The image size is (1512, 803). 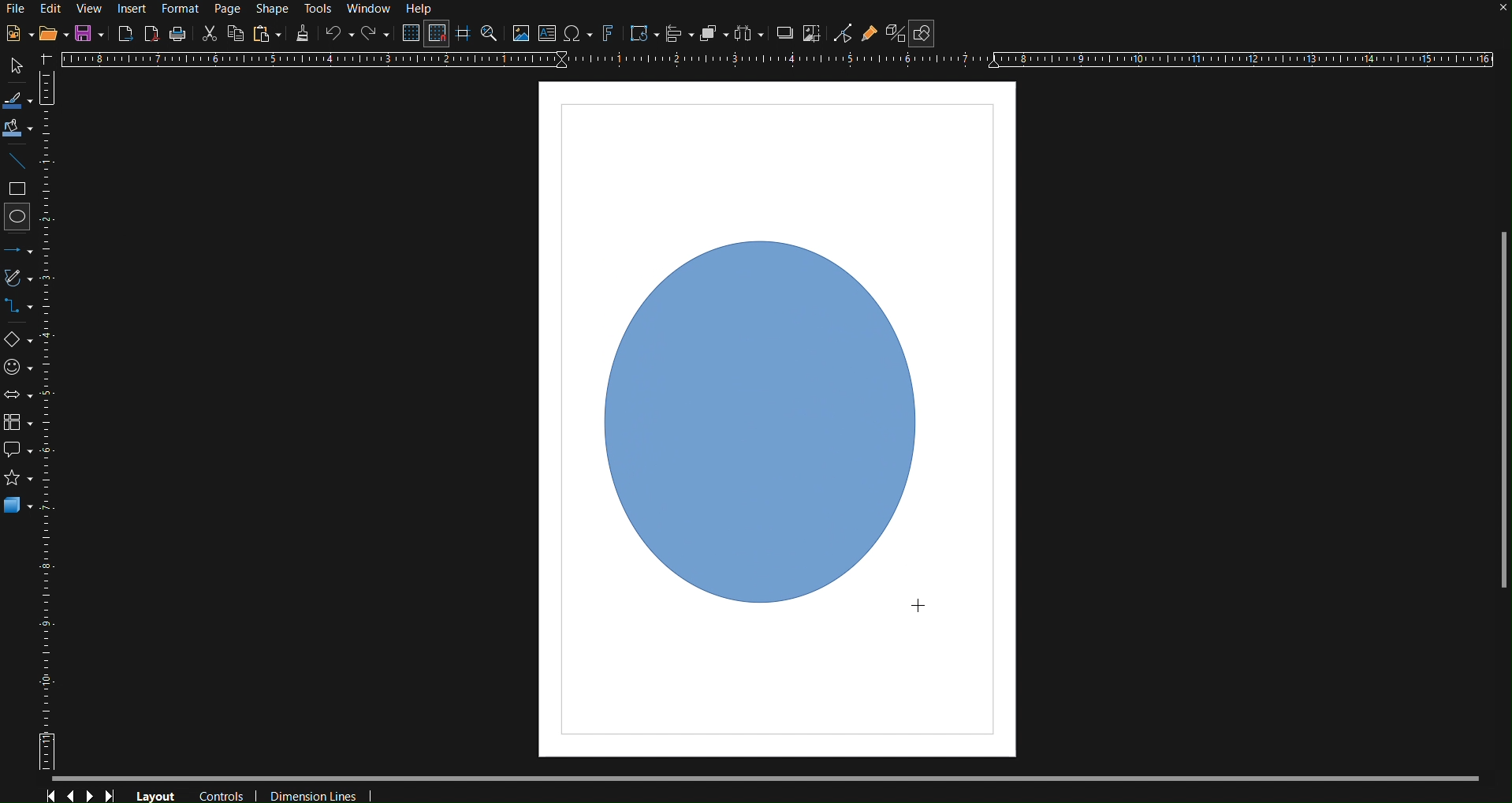 What do you see at coordinates (319, 9) in the screenshot?
I see `Tools` at bounding box center [319, 9].